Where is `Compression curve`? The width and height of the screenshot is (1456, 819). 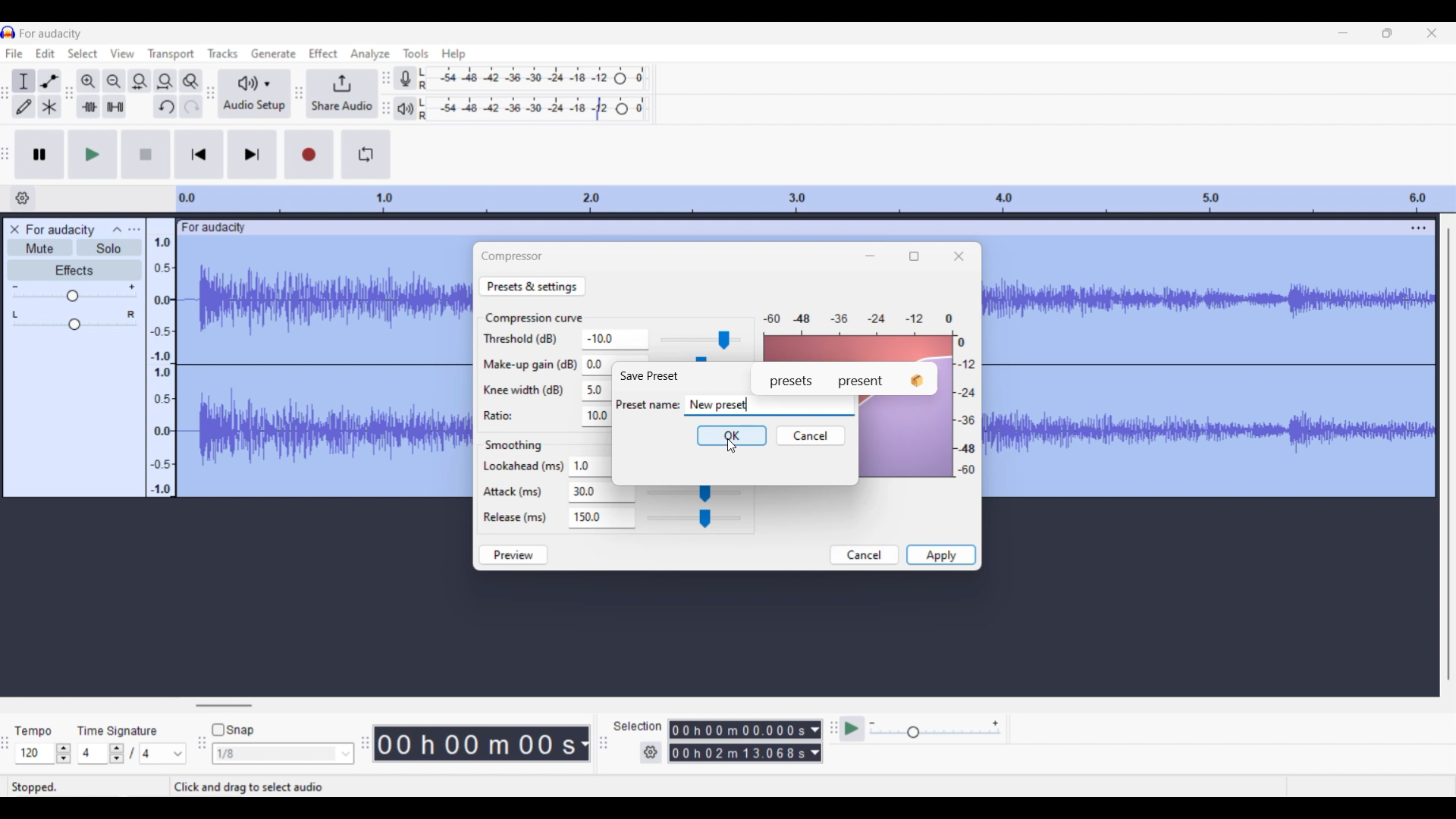
Compression curve is located at coordinates (535, 318).